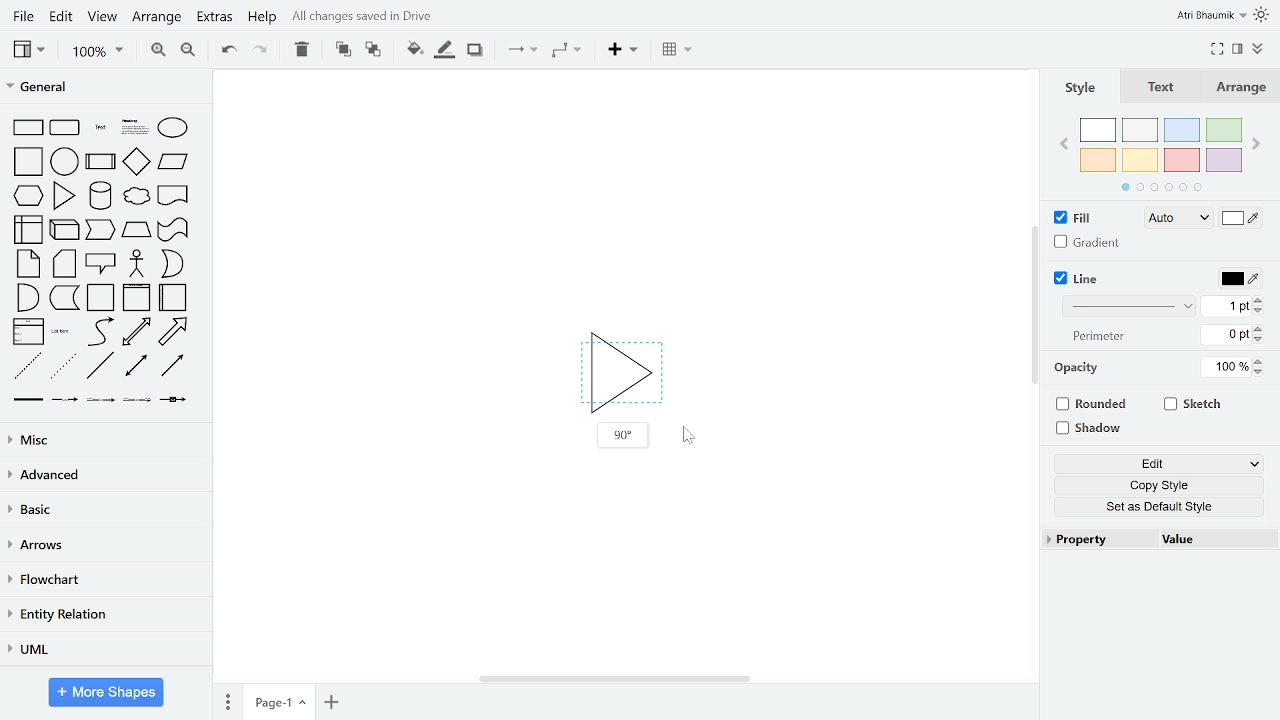 The image size is (1280, 720). What do you see at coordinates (99, 128) in the screenshot?
I see `text` at bounding box center [99, 128].